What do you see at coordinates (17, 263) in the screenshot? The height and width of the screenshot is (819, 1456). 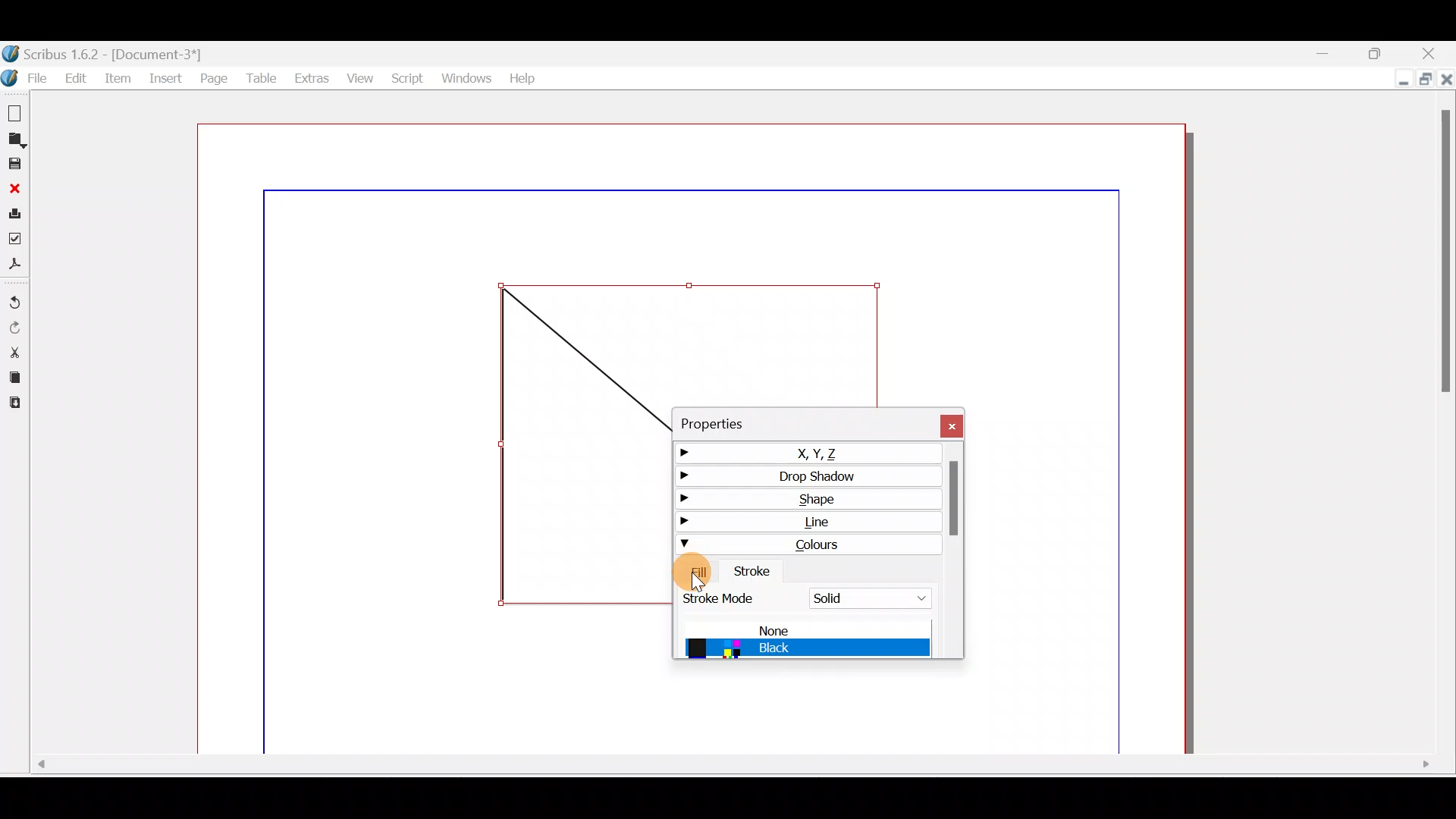 I see `Save as PDF` at bounding box center [17, 263].